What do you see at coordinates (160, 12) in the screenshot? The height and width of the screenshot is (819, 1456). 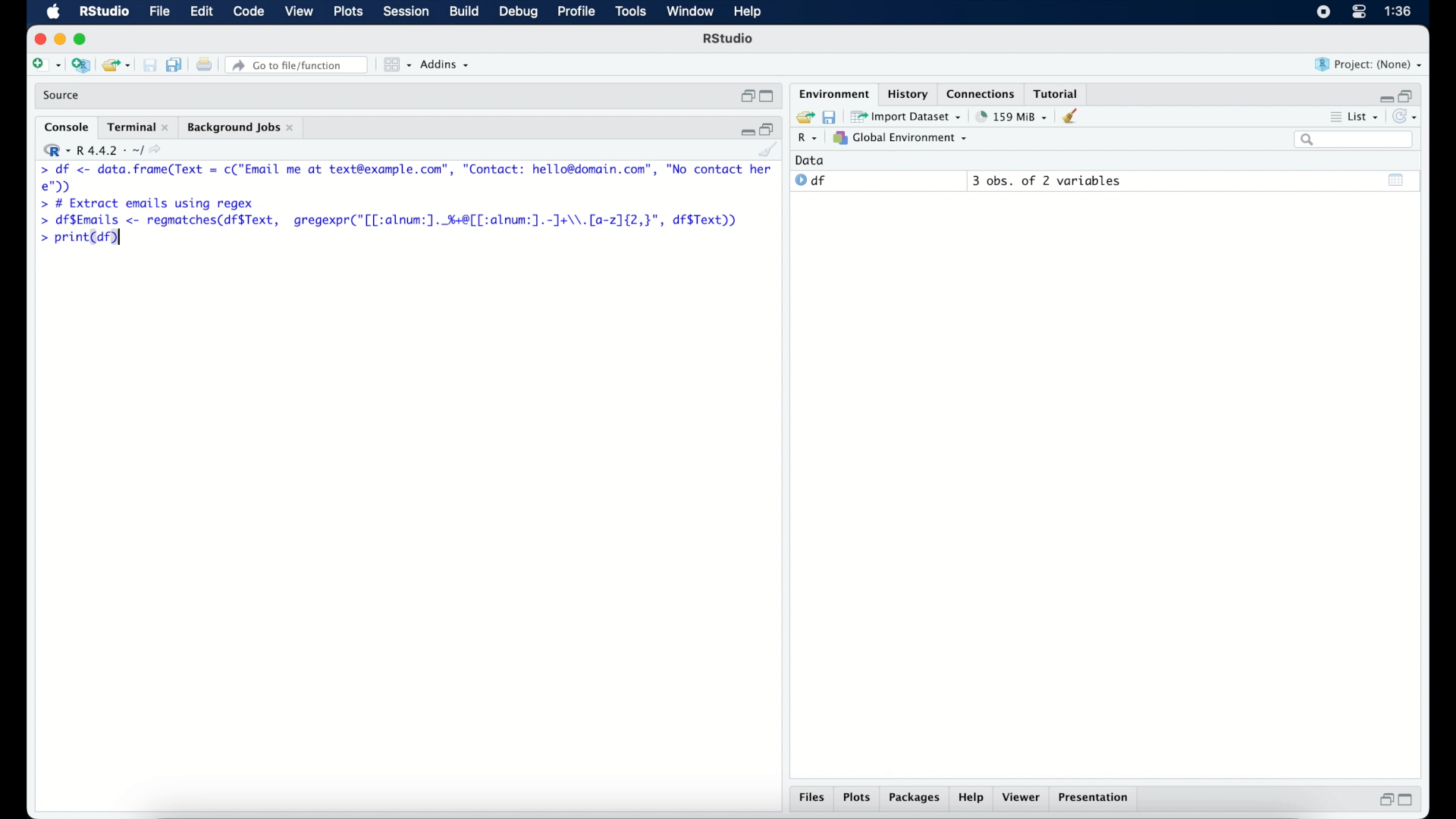 I see `file` at bounding box center [160, 12].